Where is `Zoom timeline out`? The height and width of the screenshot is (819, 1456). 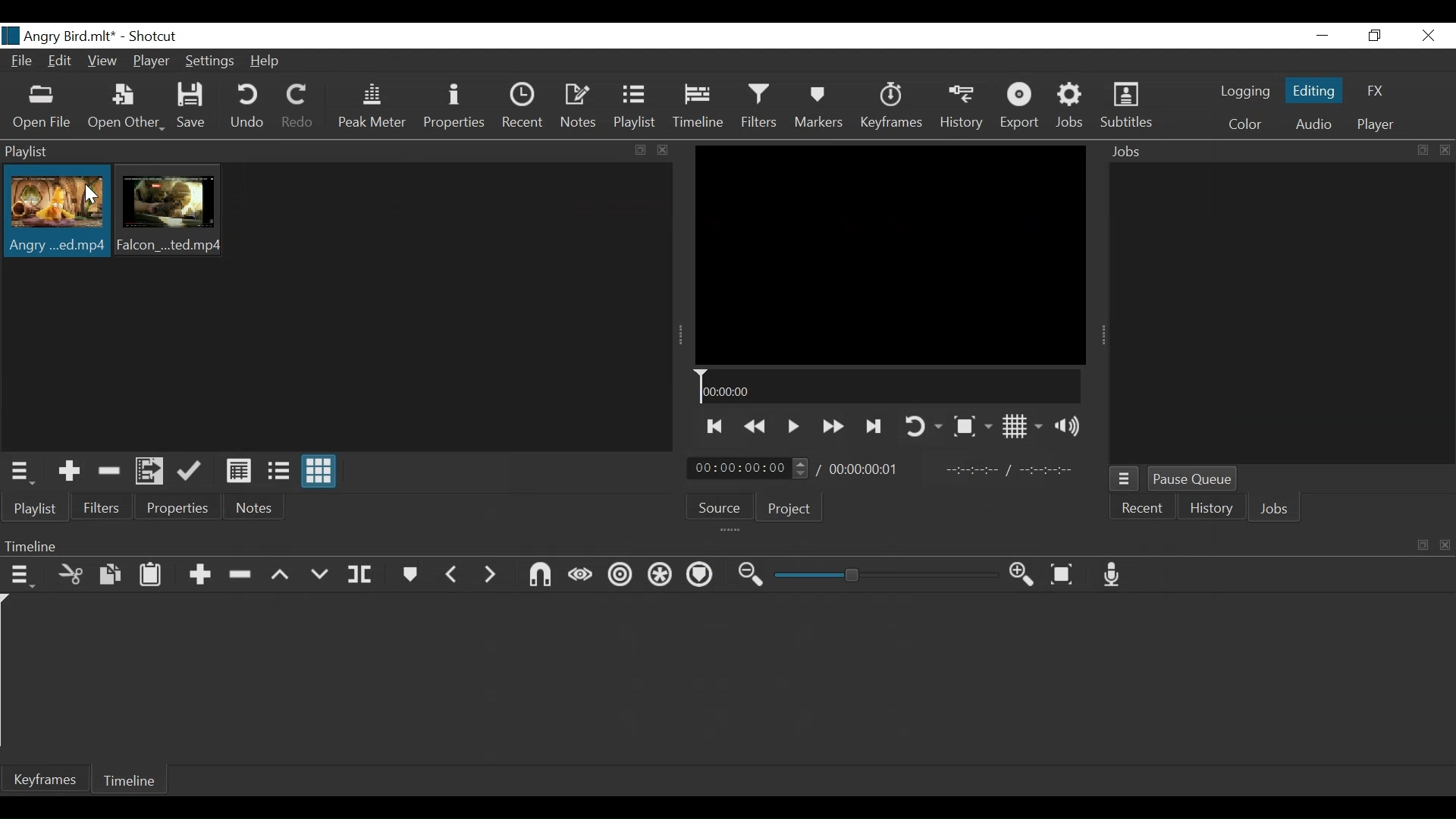
Zoom timeline out is located at coordinates (753, 576).